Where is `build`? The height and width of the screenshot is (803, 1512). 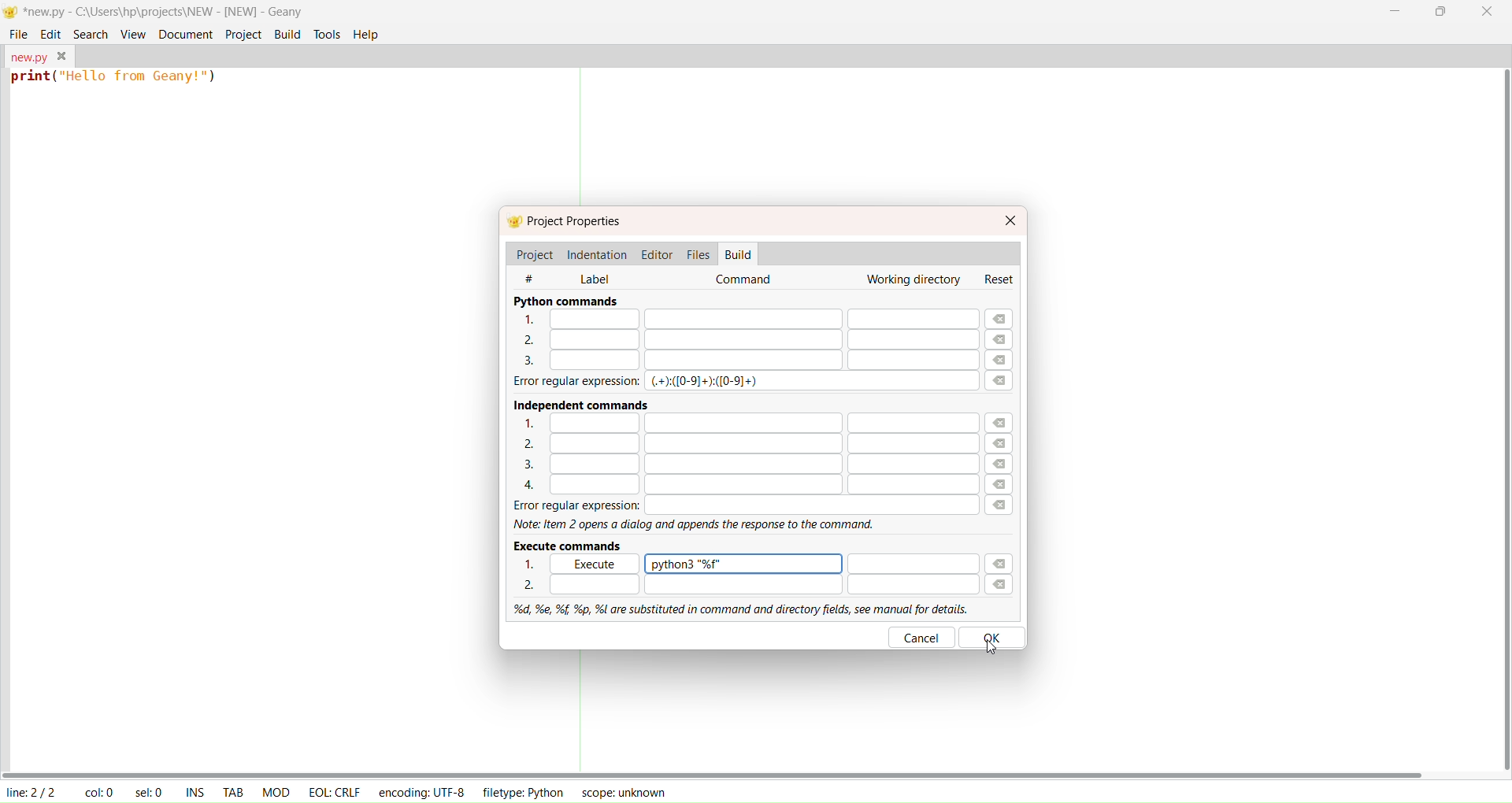
build is located at coordinates (739, 254).